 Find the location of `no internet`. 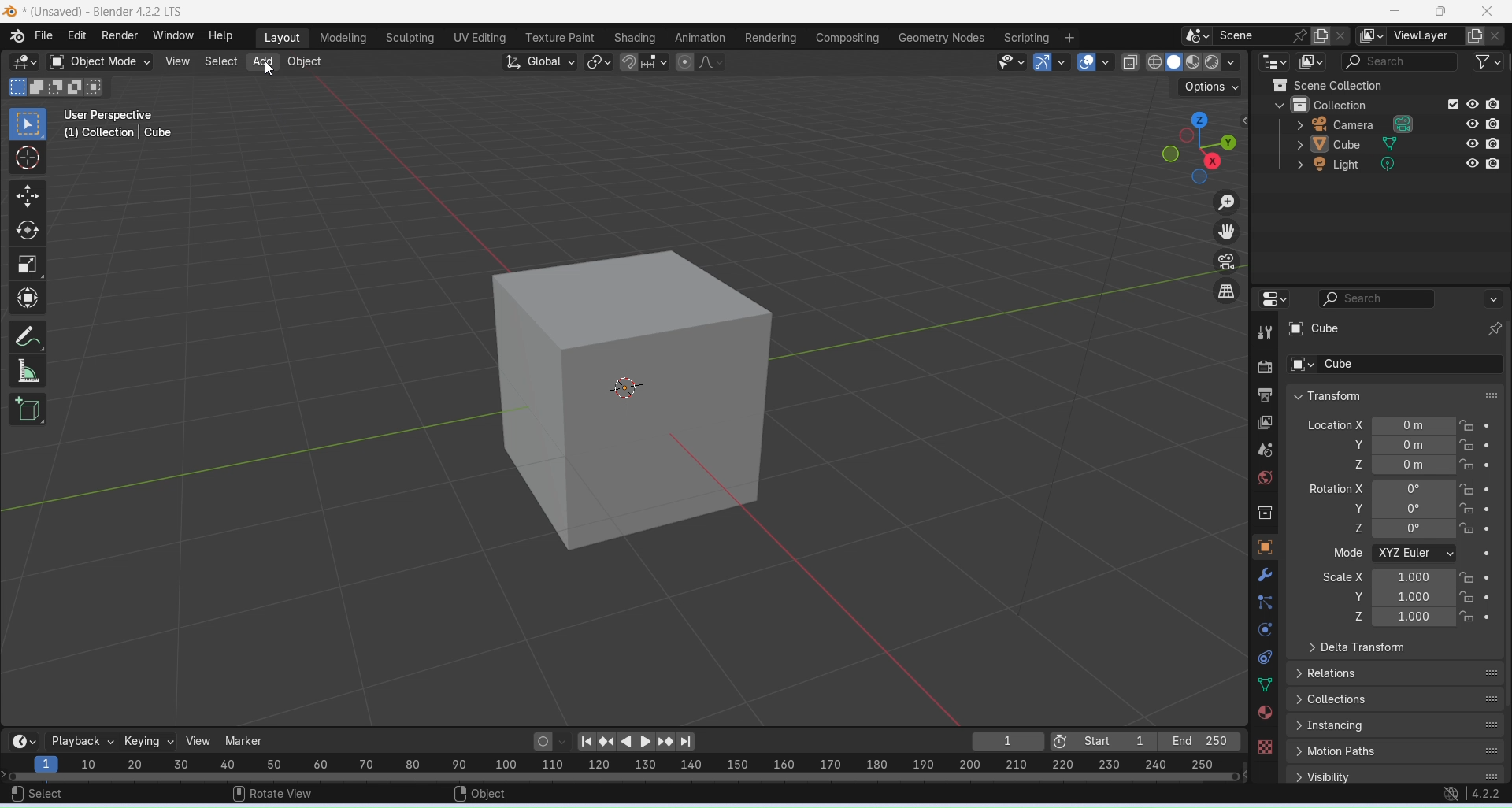

no internet is located at coordinates (1452, 795).